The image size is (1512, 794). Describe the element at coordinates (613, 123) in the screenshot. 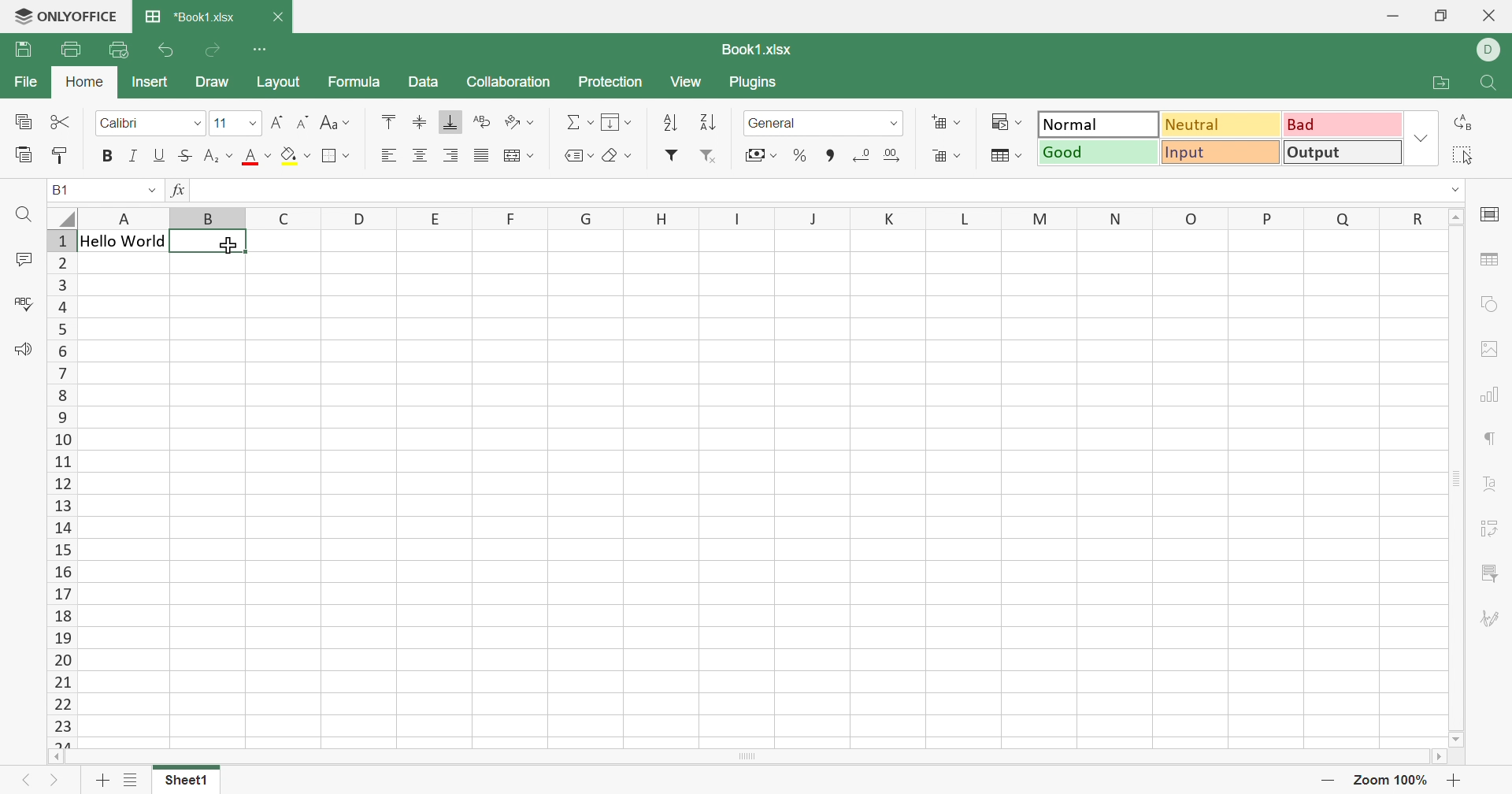

I see `Fill` at that location.